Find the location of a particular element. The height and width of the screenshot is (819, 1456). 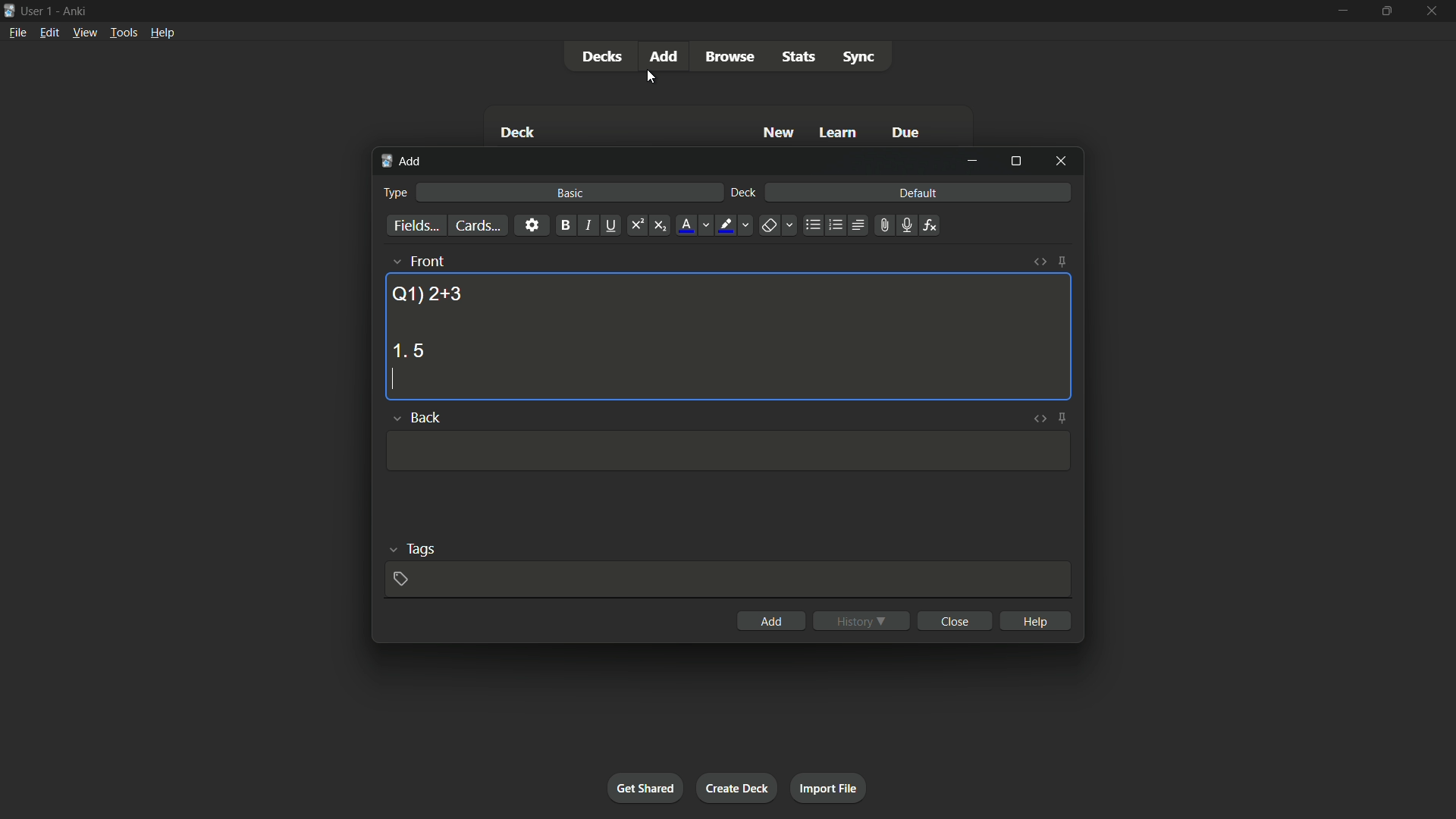

question is located at coordinates (427, 293).